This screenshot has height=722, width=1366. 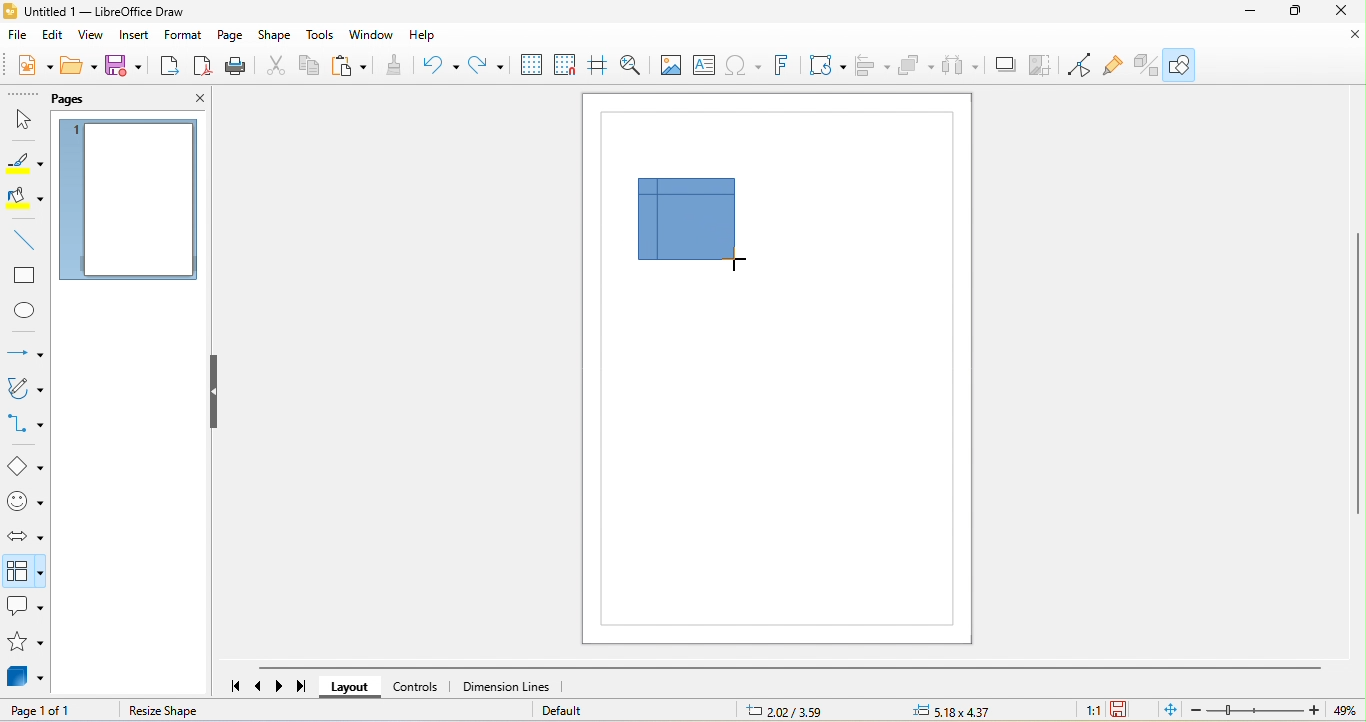 I want to click on block arrow, so click(x=23, y=536).